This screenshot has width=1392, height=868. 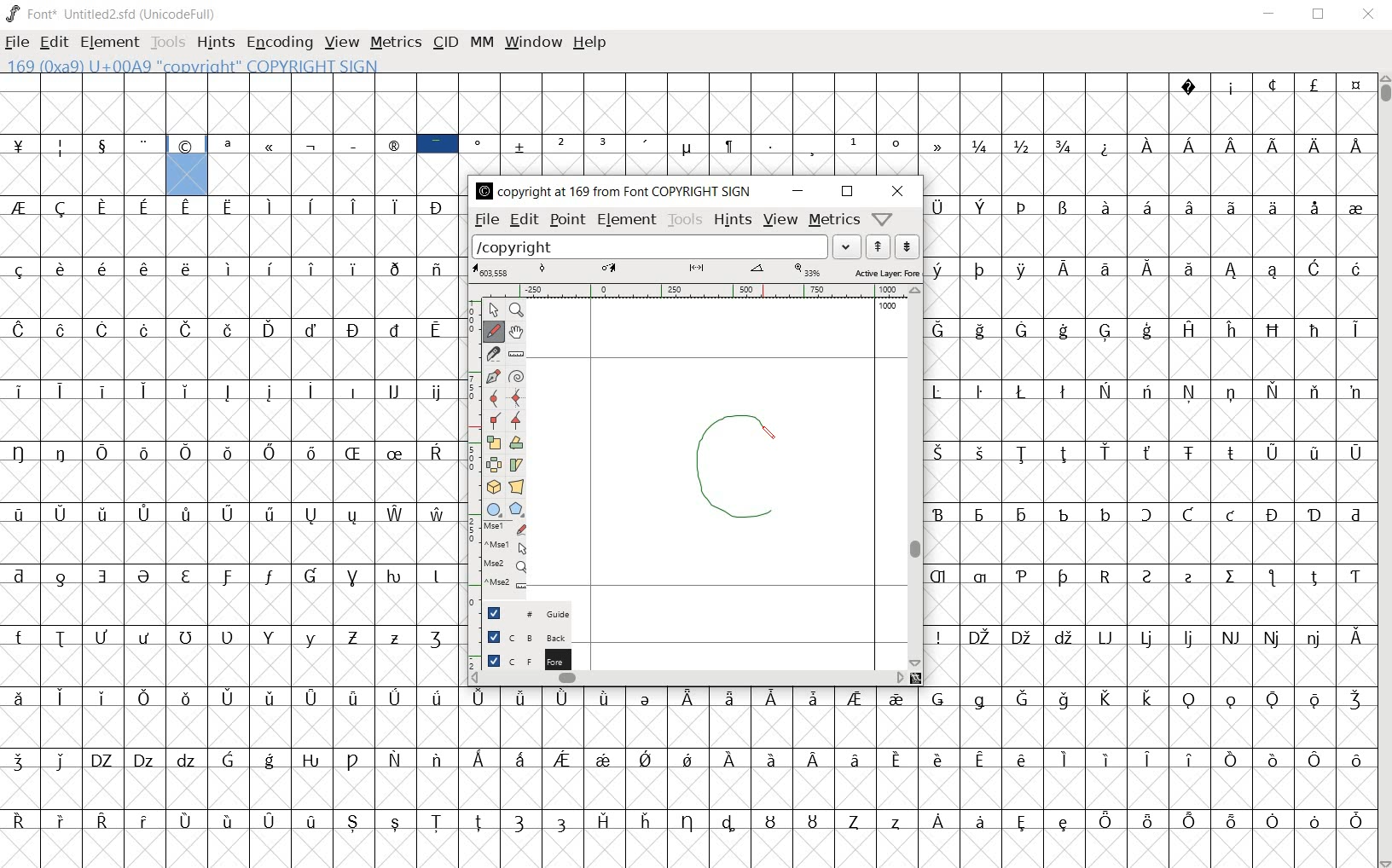 I want to click on Rotate the selection, so click(x=518, y=464).